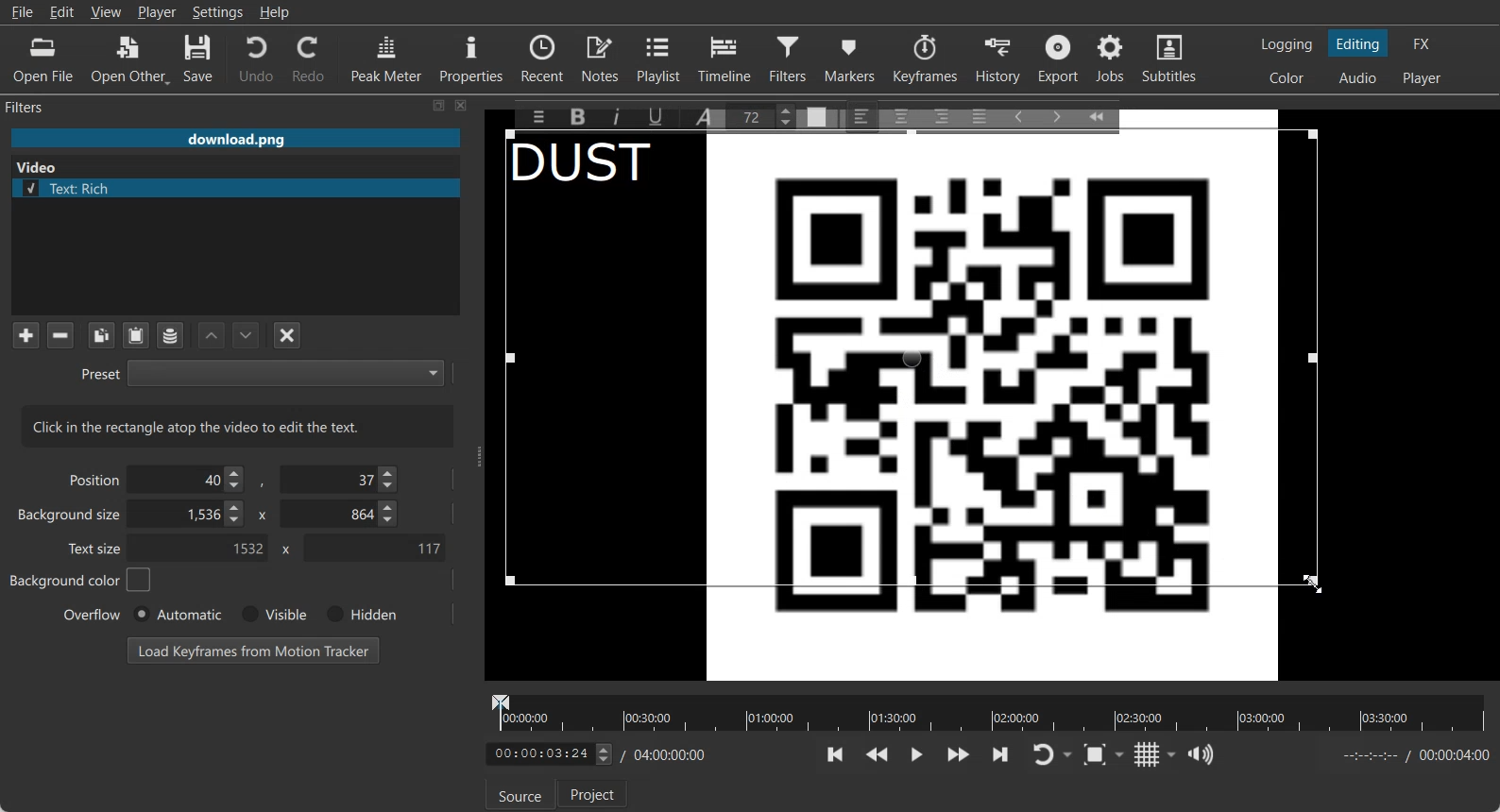 The width and height of the screenshot is (1500, 812). I want to click on Hidden, so click(358, 614).